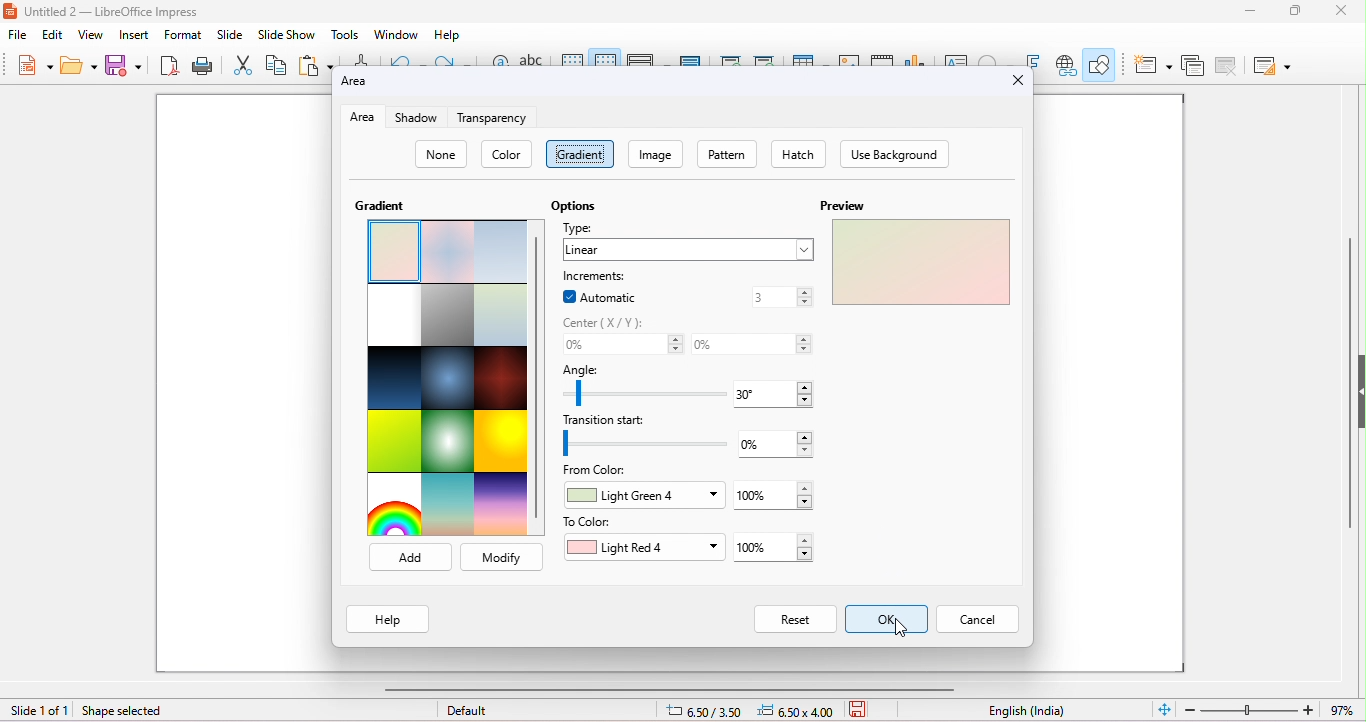  I want to click on cursor movement, so click(902, 627).